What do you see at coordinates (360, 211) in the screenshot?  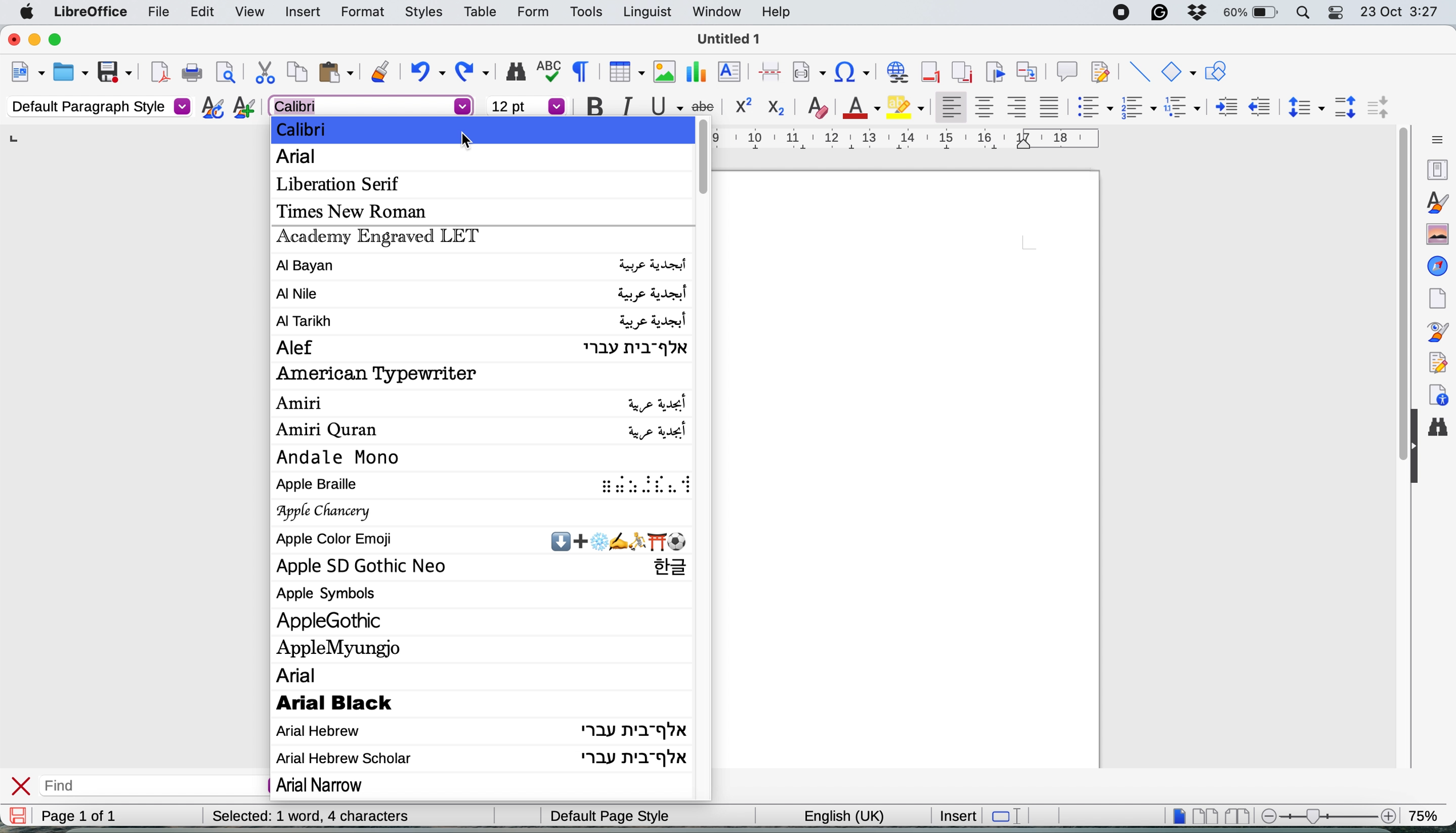 I see `times new roman` at bounding box center [360, 211].